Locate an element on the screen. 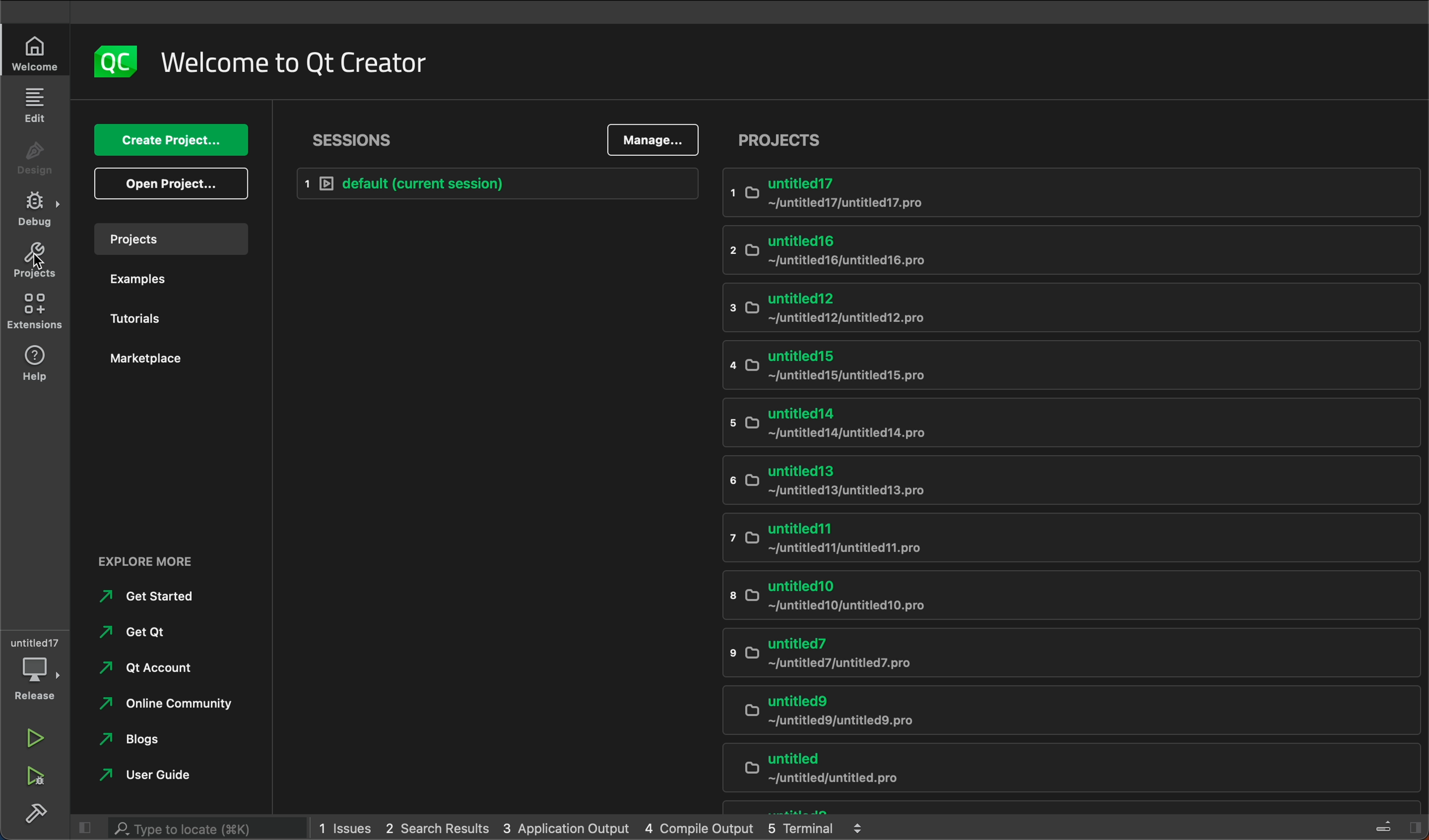 The image size is (1429, 840). projects is located at coordinates (1078, 141).